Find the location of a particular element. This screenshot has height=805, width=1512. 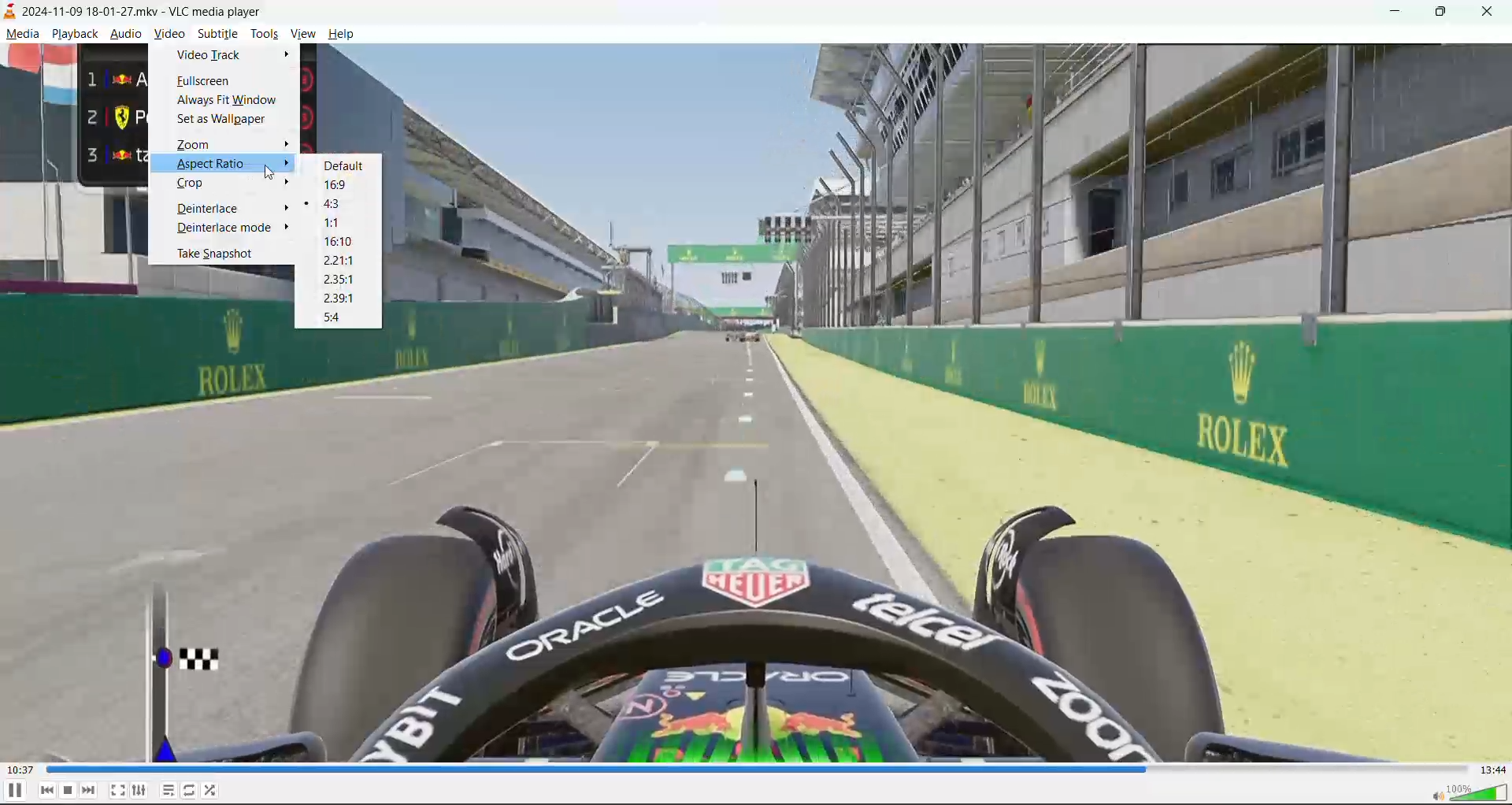

2.35:1 is located at coordinates (339, 279).